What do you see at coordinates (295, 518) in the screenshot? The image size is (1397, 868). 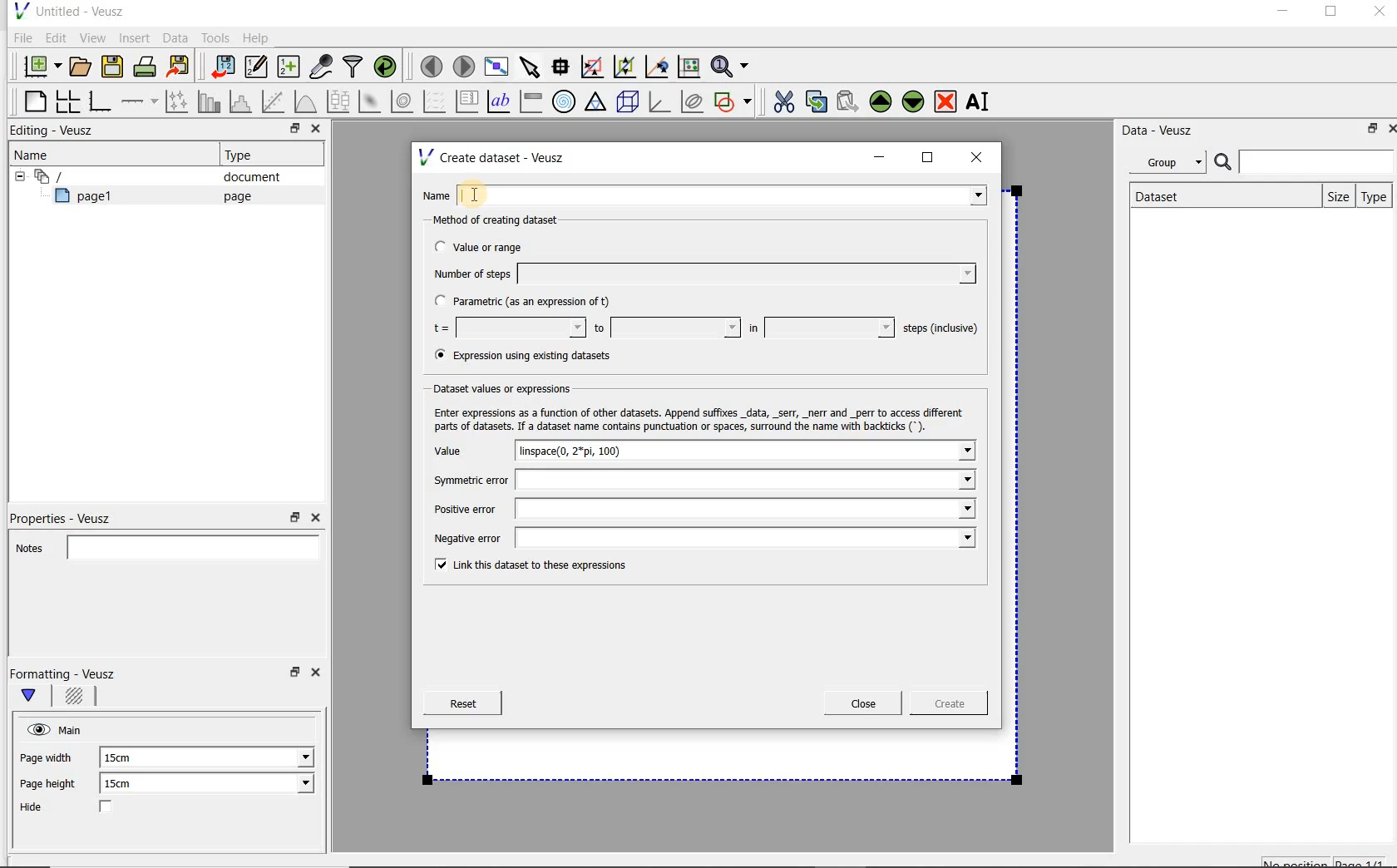 I see `restore down` at bounding box center [295, 518].